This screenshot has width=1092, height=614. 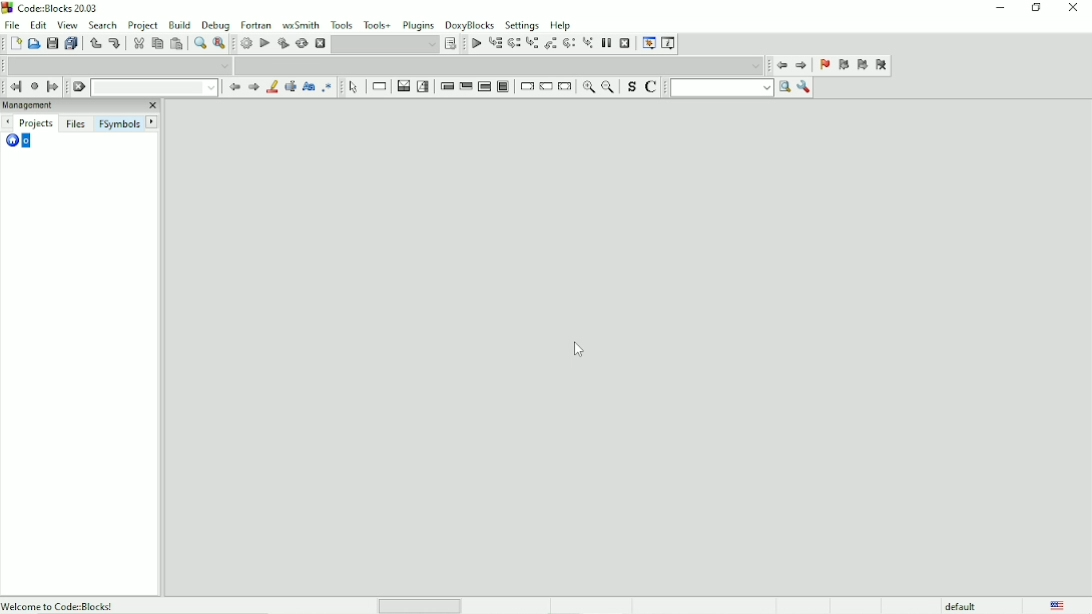 I want to click on Jump forward, so click(x=802, y=67).